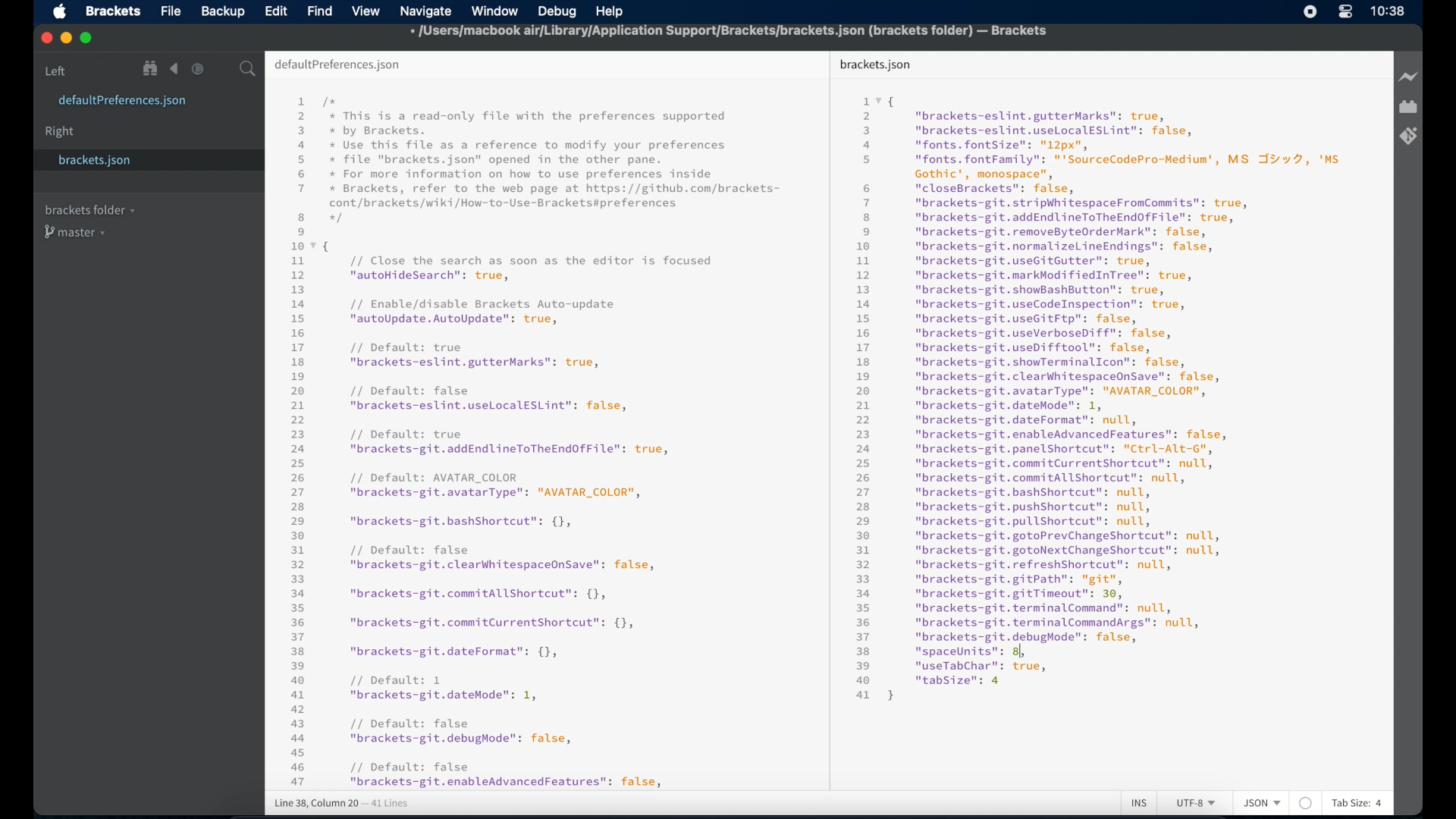 The height and width of the screenshot is (819, 1456). I want to click on navigate backward, so click(174, 69).